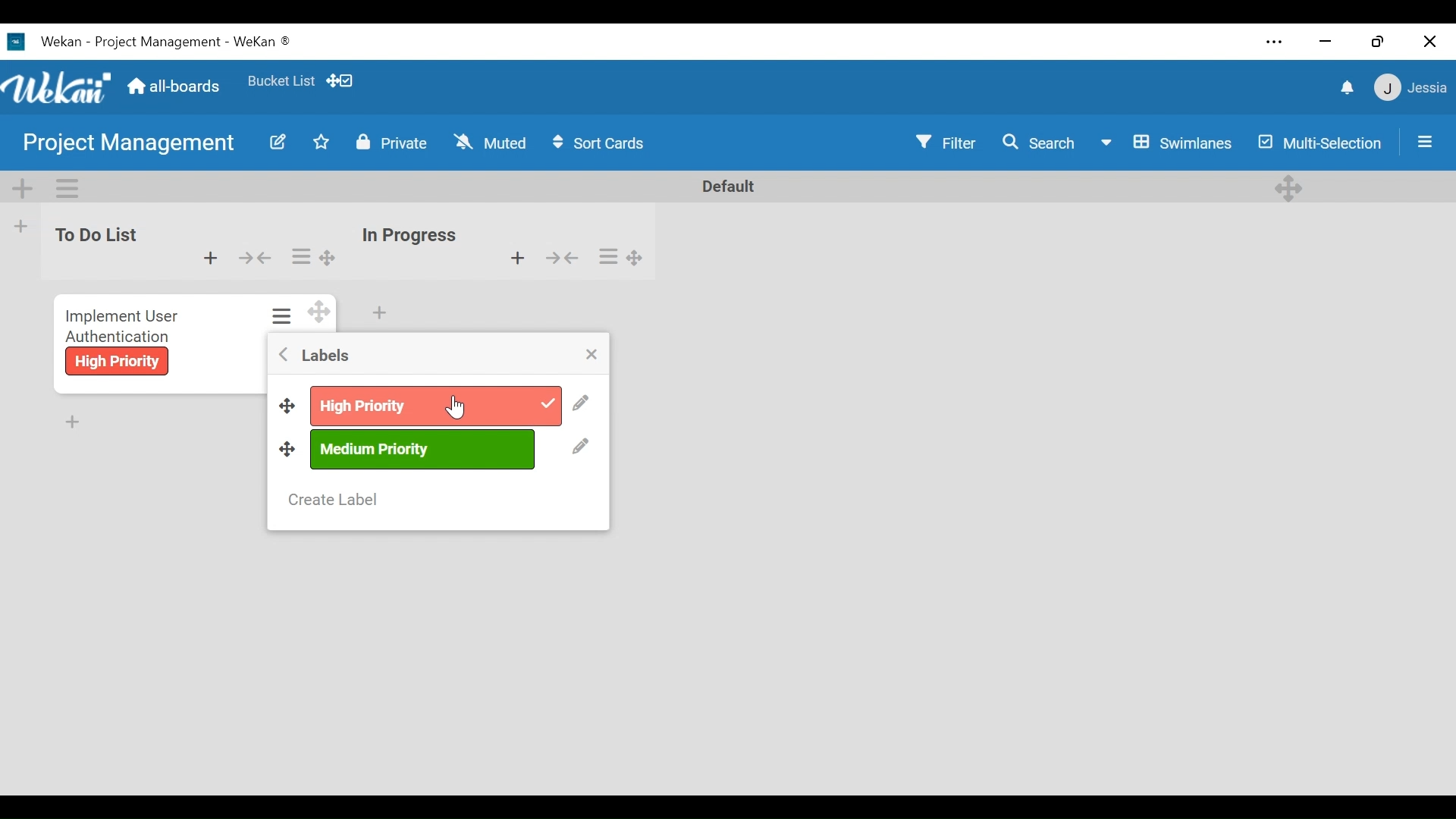 The width and height of the screenshot is (1456, 819). Describe the element at coordinates (1426, 142) in the screenshot. I see `open/close side pane` at that location.